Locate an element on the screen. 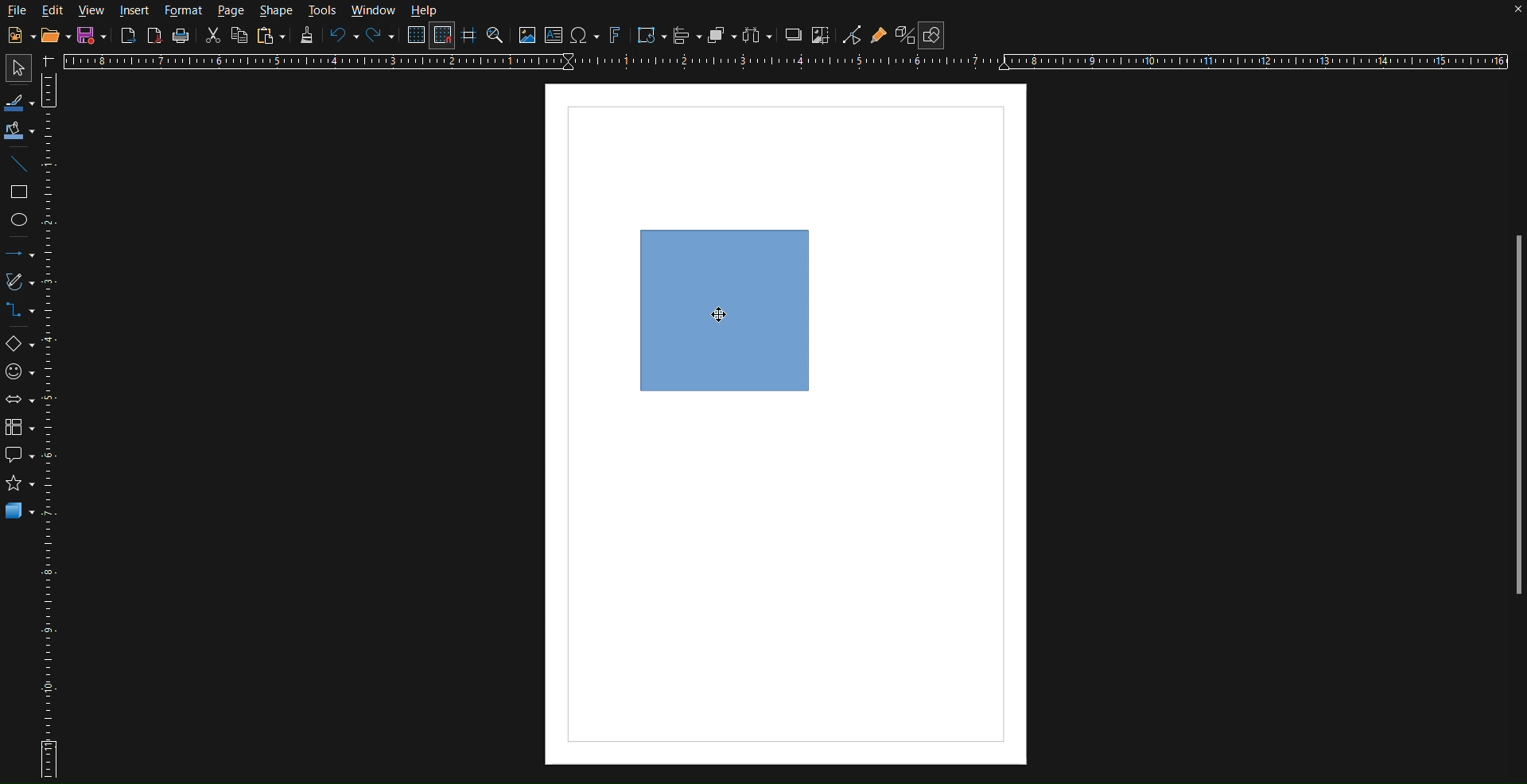  Shadow is located at coordinates (794, 37).